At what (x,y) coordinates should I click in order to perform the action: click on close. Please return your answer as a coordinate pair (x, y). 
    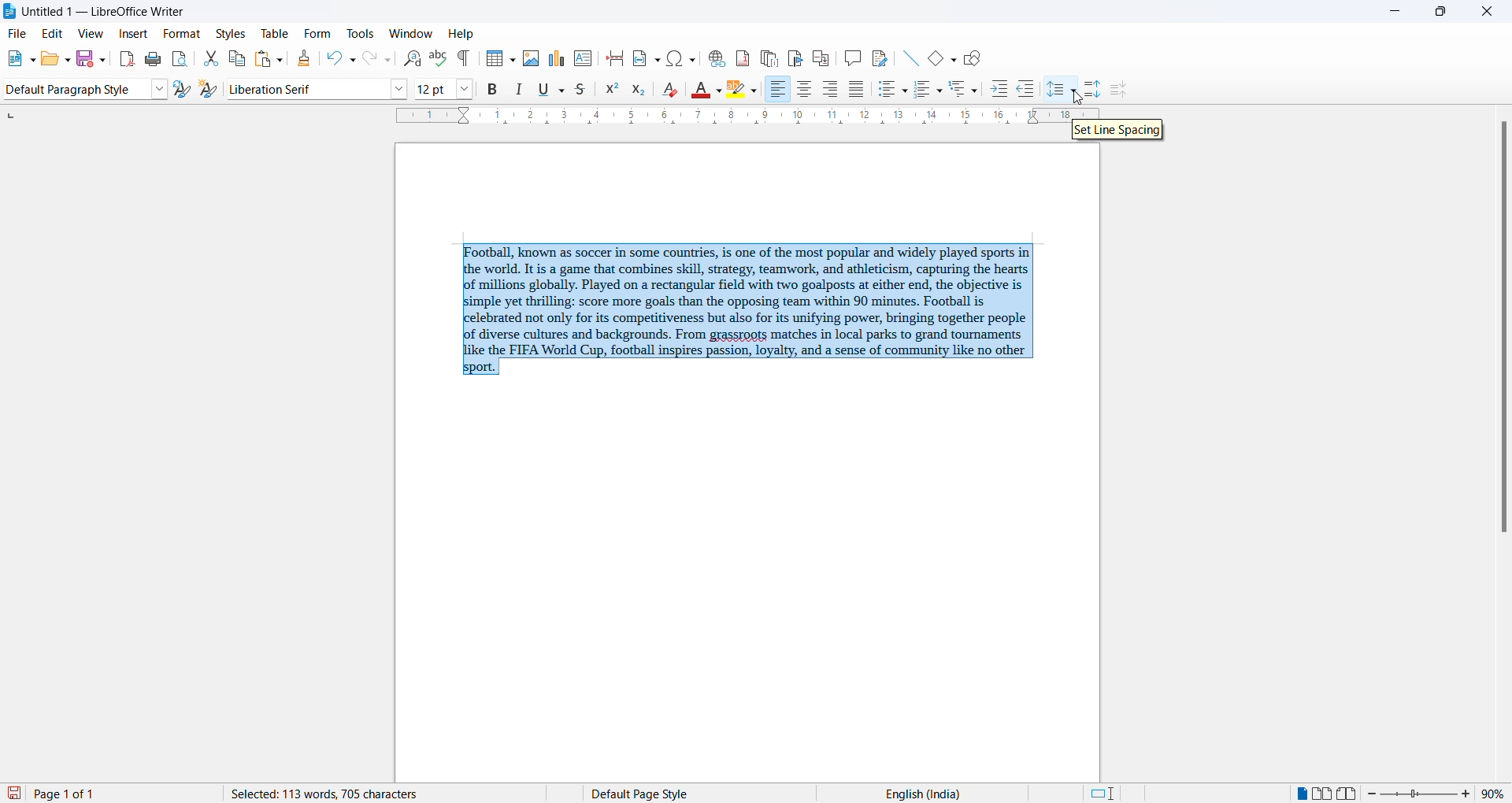
    Looking at the image, I should click on (1489, 13).